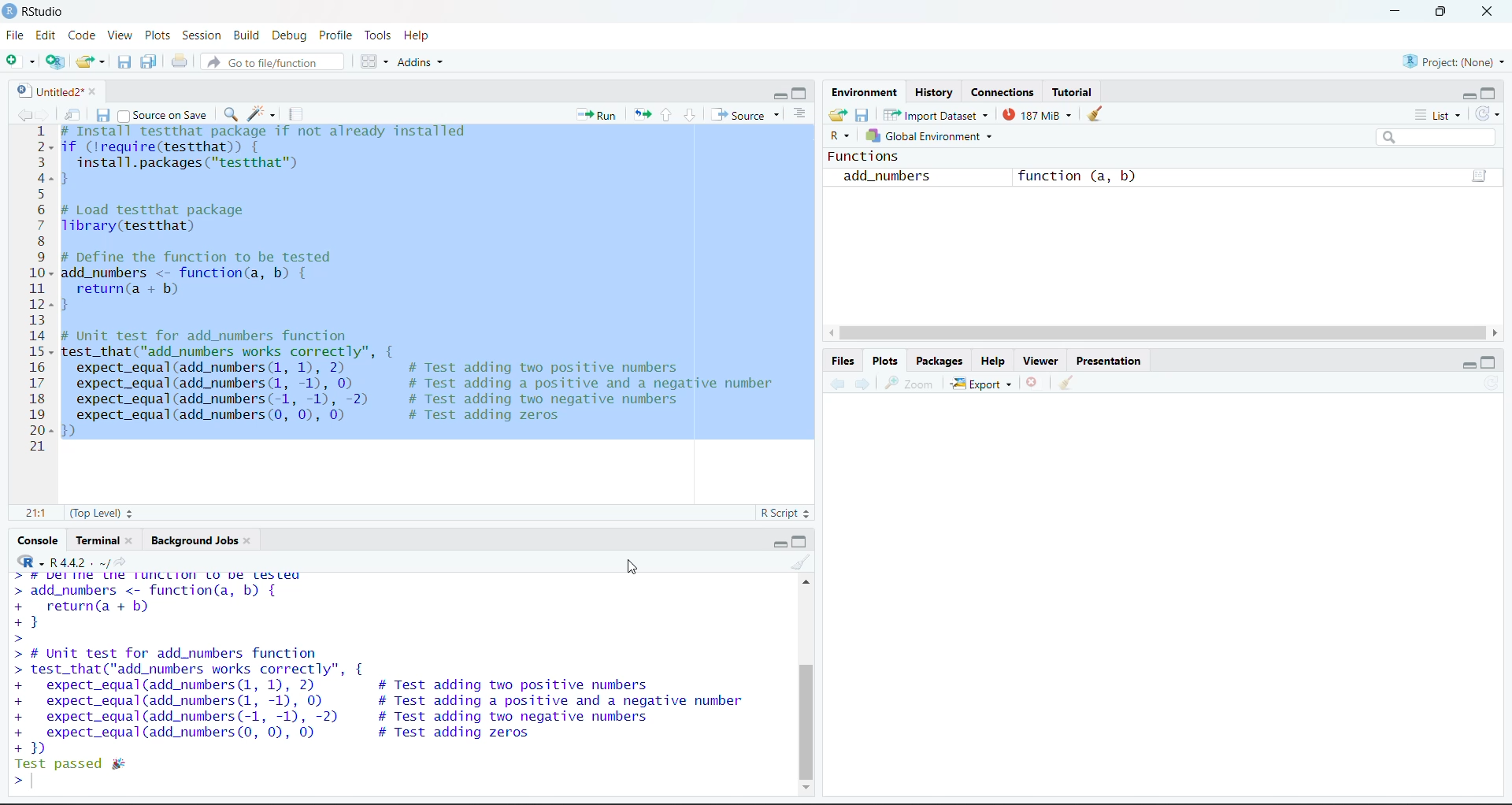 This screenshot has height=805, width=1512. What do you see at coordinates (123, 34) in the screenshot?
I see `View` at bounding box center [123, 34].